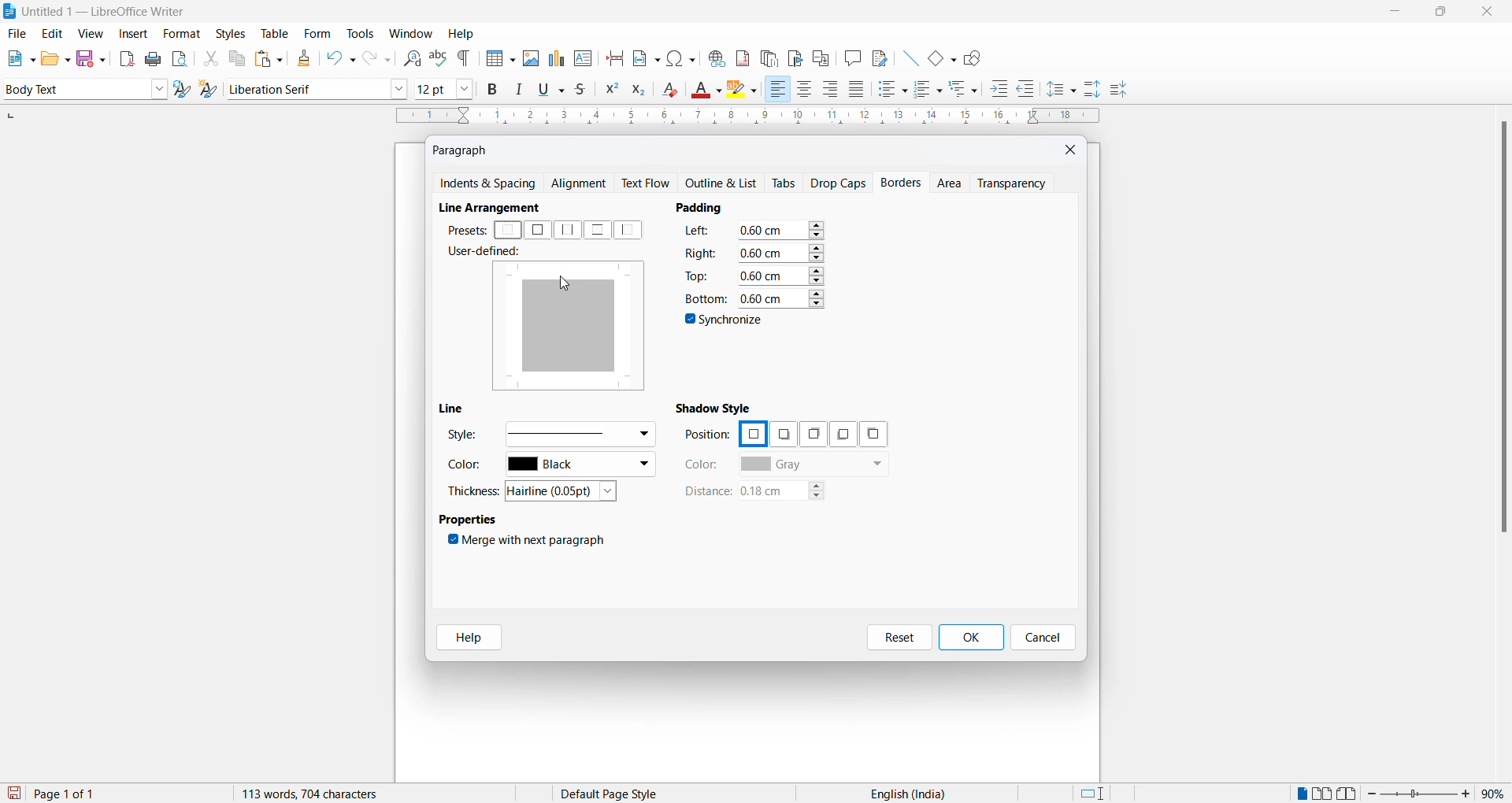  What do you see at coordinates (781, 230) in the screenshot?
I see `value` at bounding box center [781, 230].